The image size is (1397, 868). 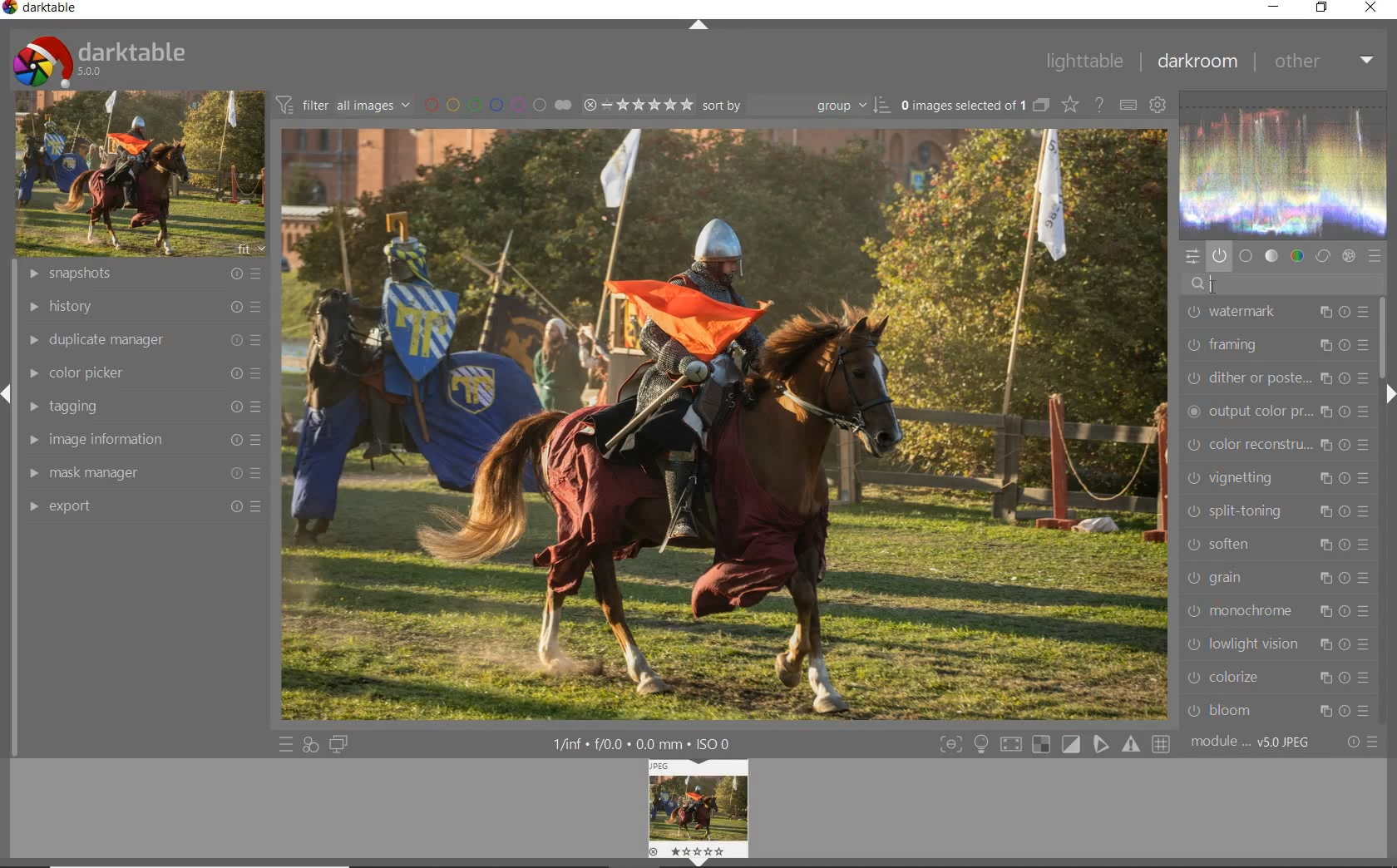 I want to click on quick access to presets, so click(x=286, y=744).